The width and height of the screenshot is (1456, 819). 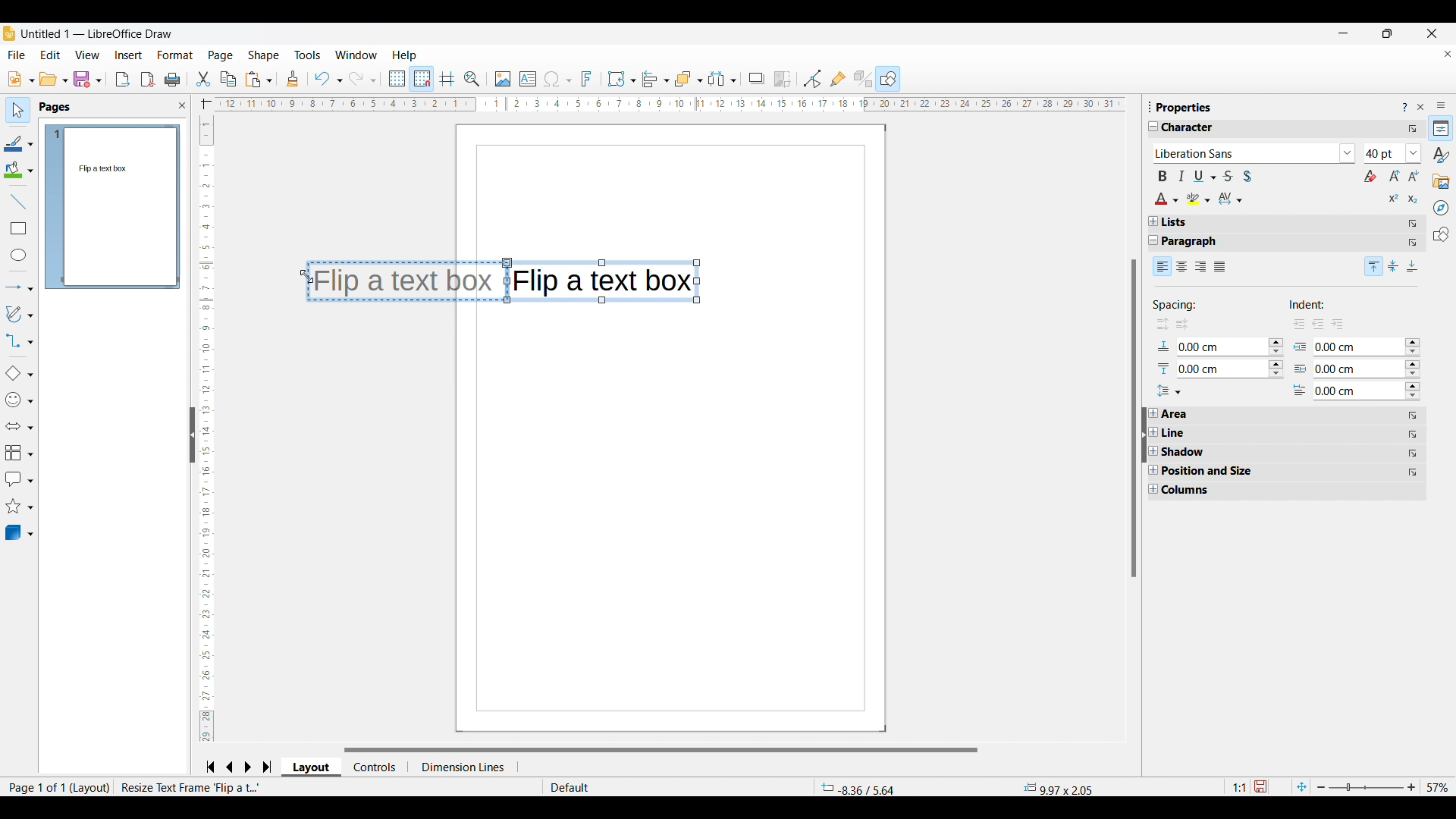 What do you see at coordinates (722, 80) in the screenshot?
I see `Select at least three objects to distribute` at bounding box center [722, 80].